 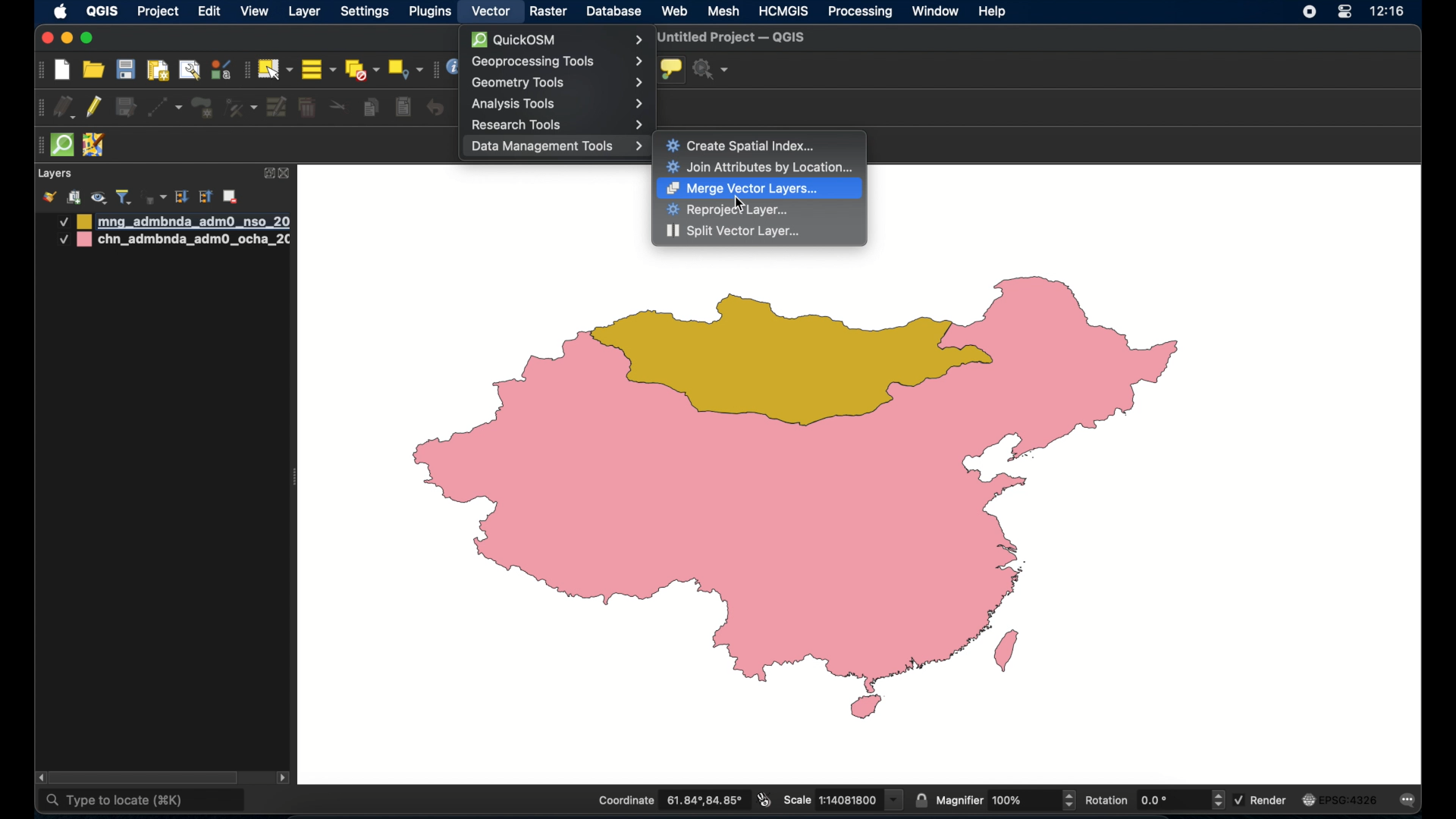 I want to click on geoprocessing tools, so click(x=556, y=61).